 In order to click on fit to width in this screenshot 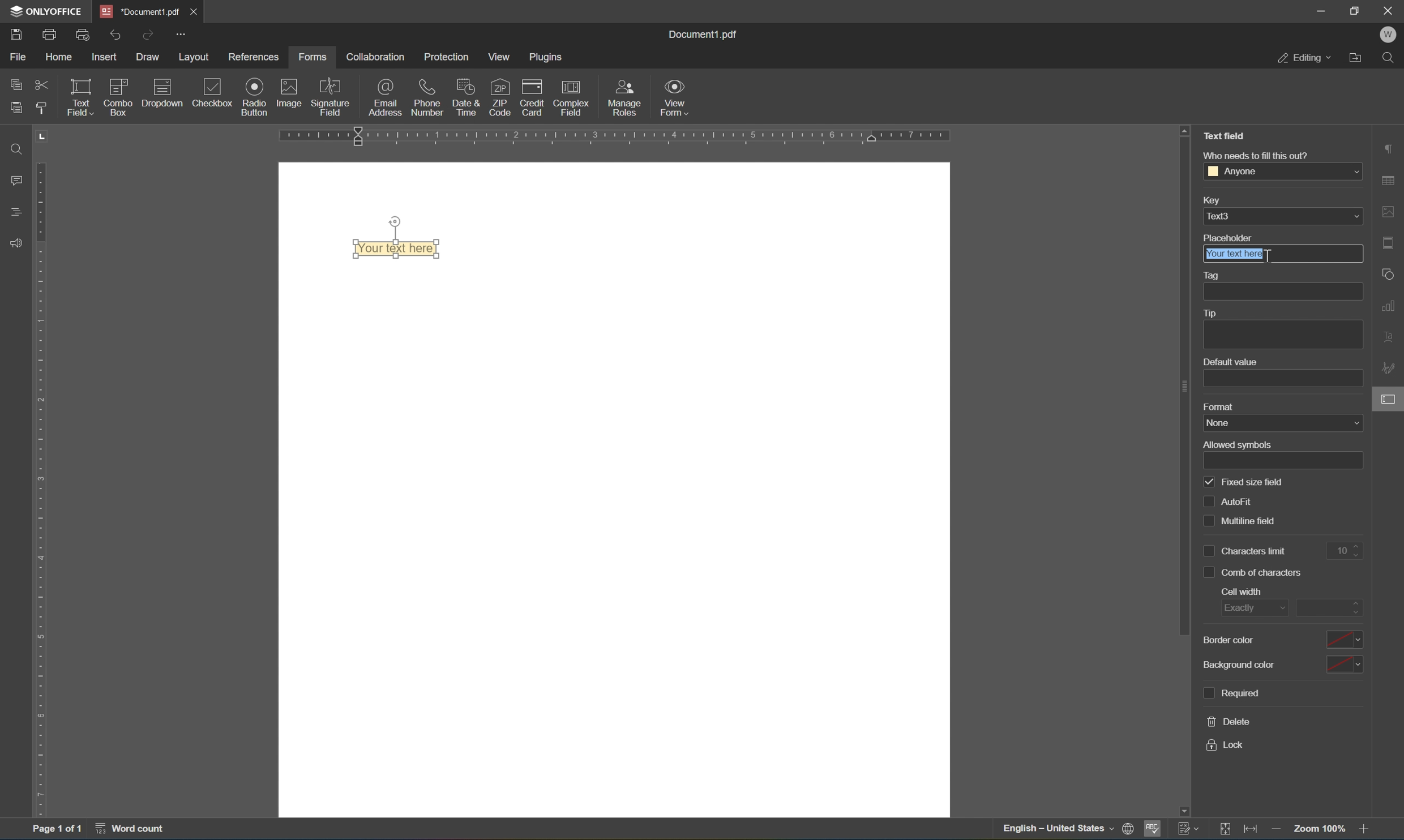, I will do `click(1253, 832)`.